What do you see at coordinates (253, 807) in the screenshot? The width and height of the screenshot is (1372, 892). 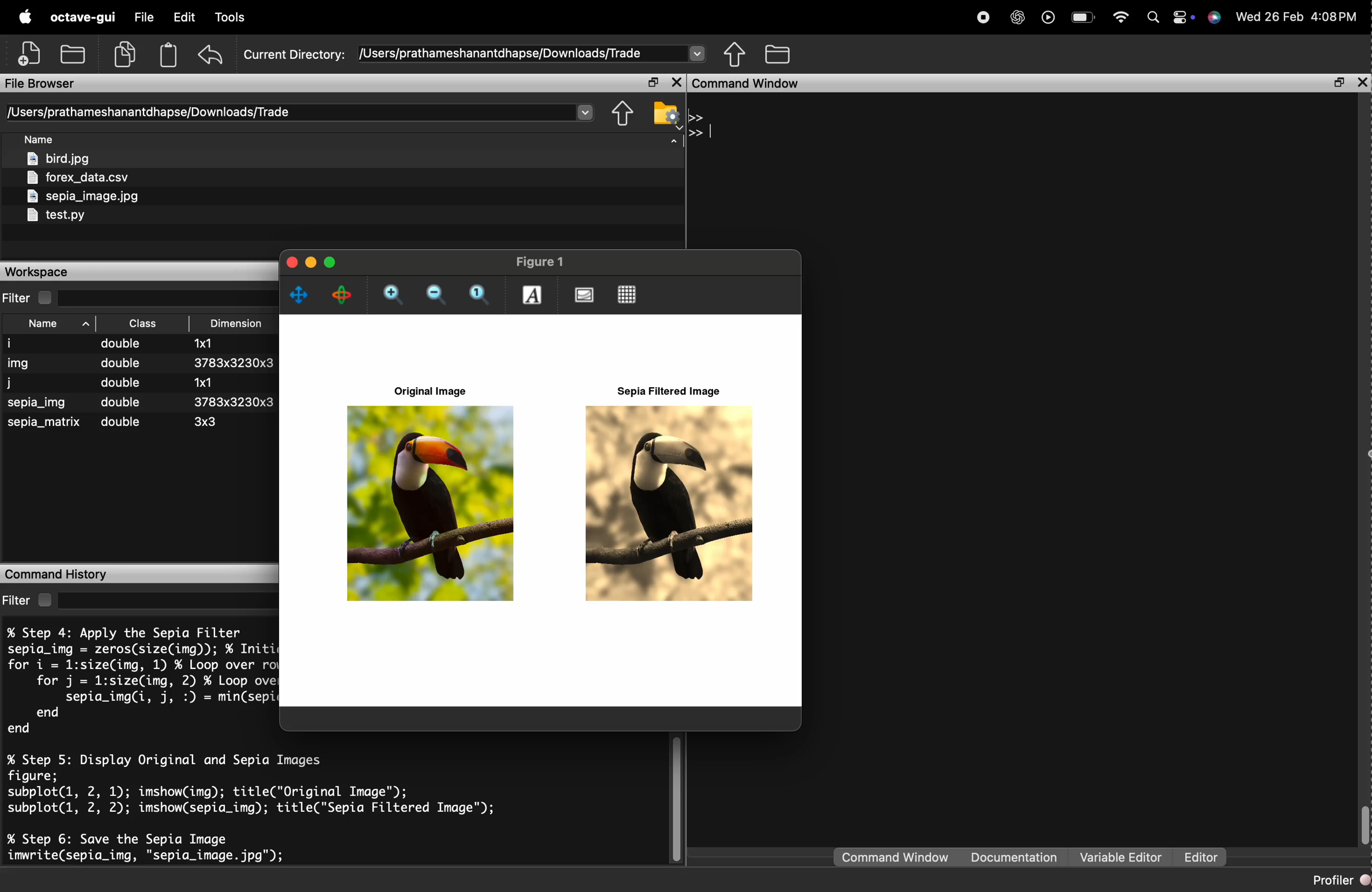 I see `% Step 5: Display Original and Sepia Images

figure;

subplot(l, 2, 1); imshow(img); title("Original Image");

subplot(l, 2, 2); imshow(sepia_img); title("Sepia Filtered Image");
% Step 6: Save the Sepia Image

imwrite(sepia_img, "sepia_image. jpg");` at bounding box center [253, 807].